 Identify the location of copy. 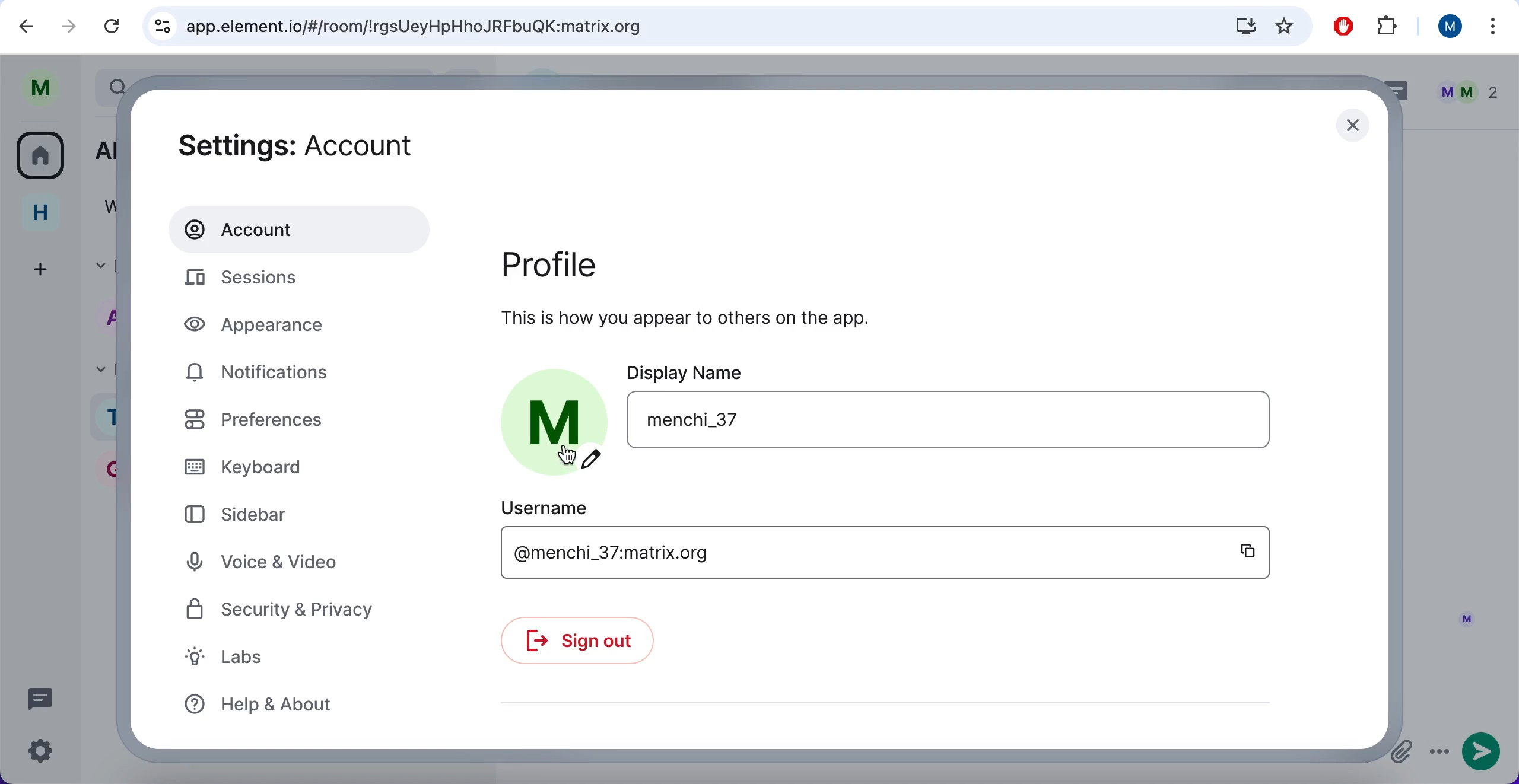
(1244, 552).